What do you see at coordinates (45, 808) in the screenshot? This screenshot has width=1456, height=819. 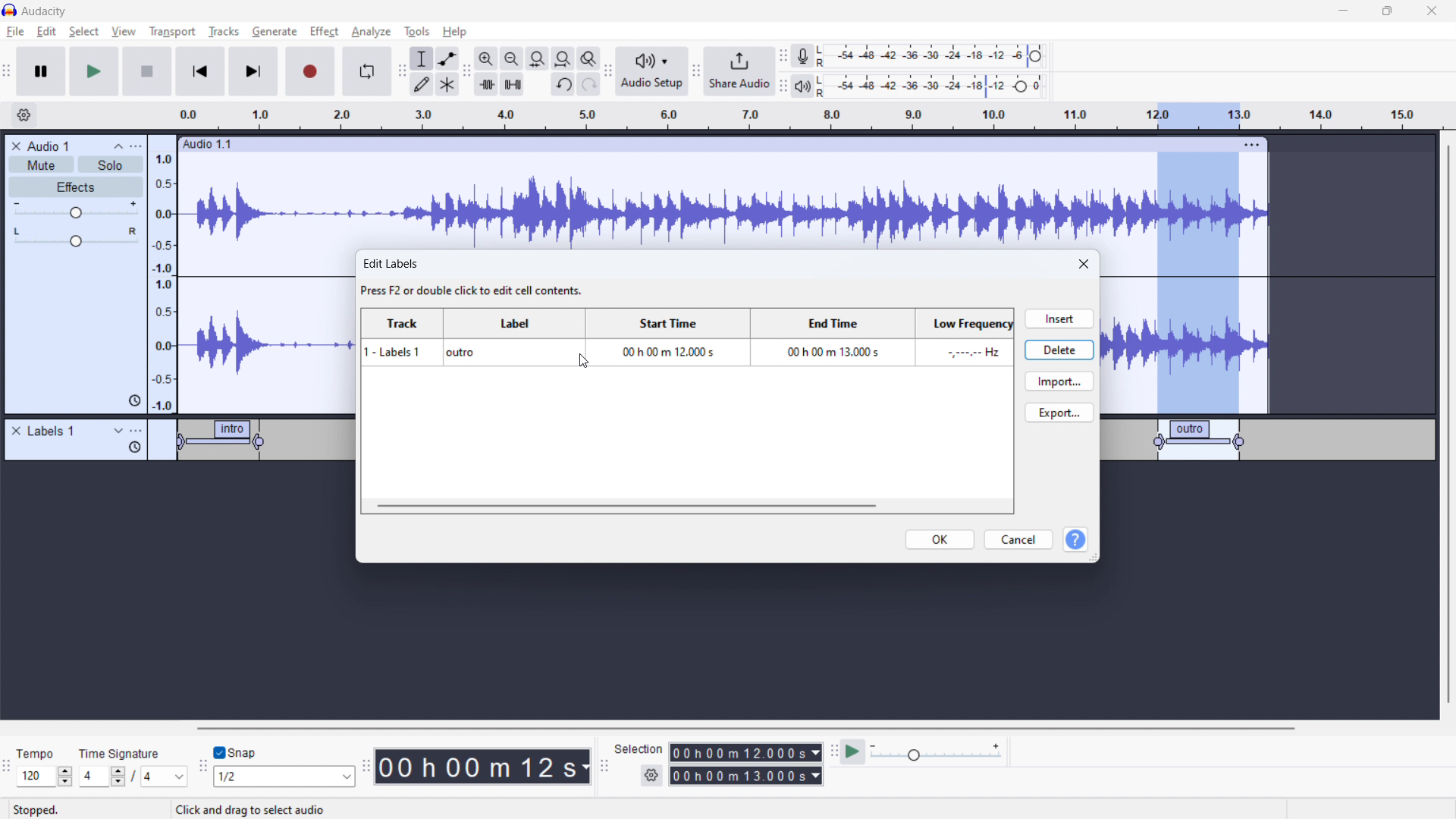 I see `stopped.` at bounding box center [45, 808].